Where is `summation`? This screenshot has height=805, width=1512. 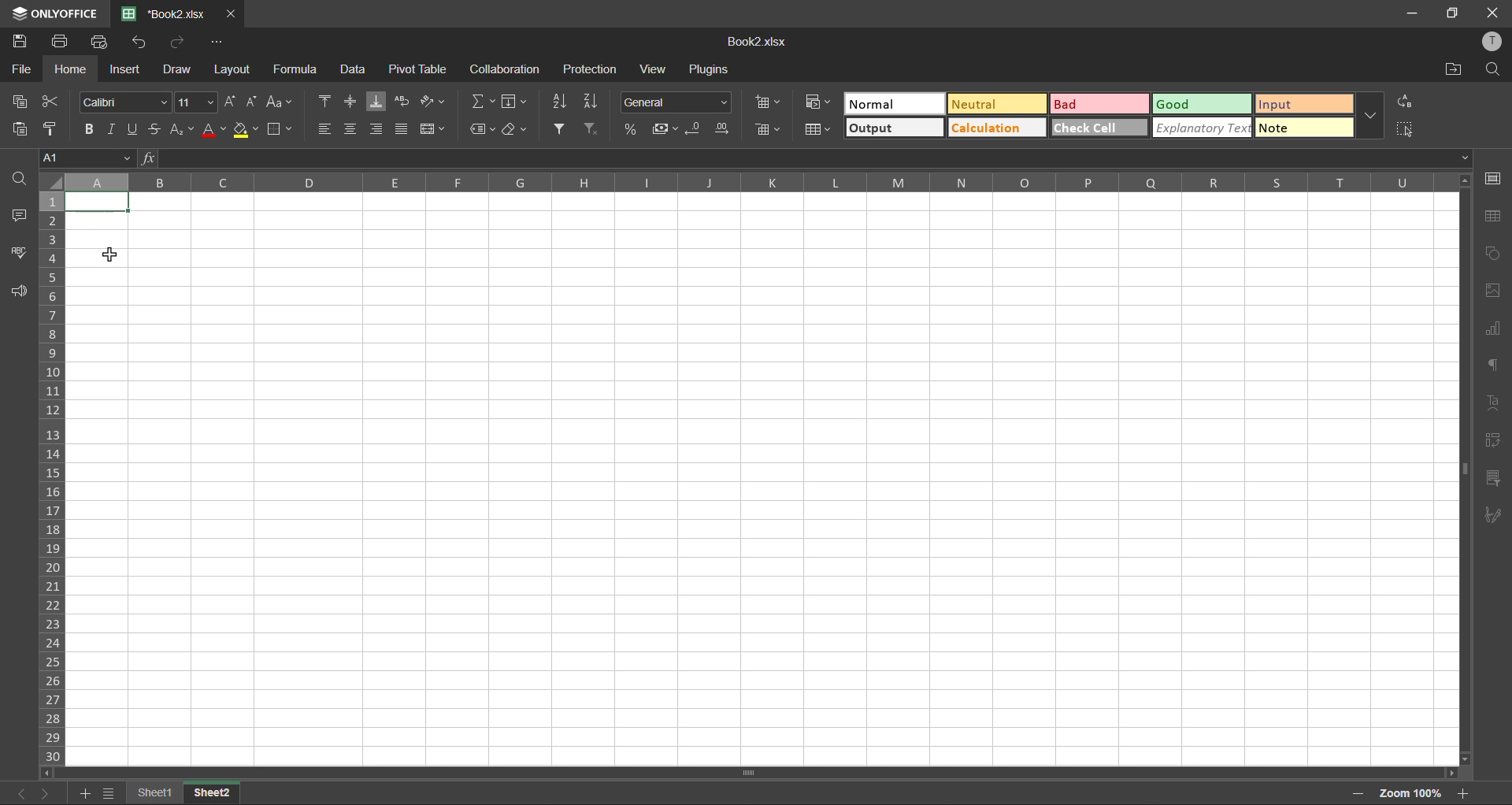
summation is located at coordinates (486, 101).